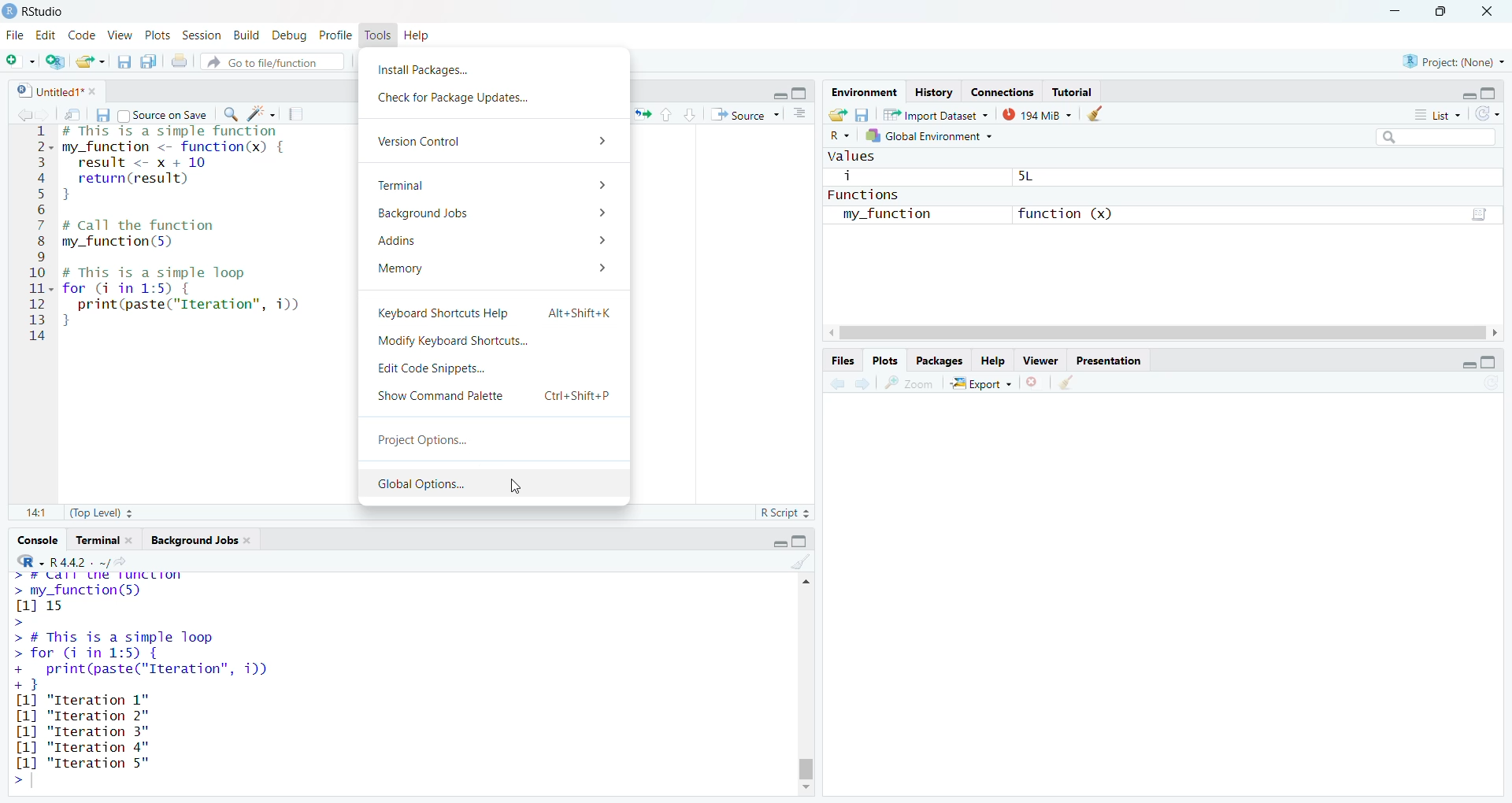 The width and height of the screenshot is (1512, 803). I want to click on viewer, so click(1041, 358).